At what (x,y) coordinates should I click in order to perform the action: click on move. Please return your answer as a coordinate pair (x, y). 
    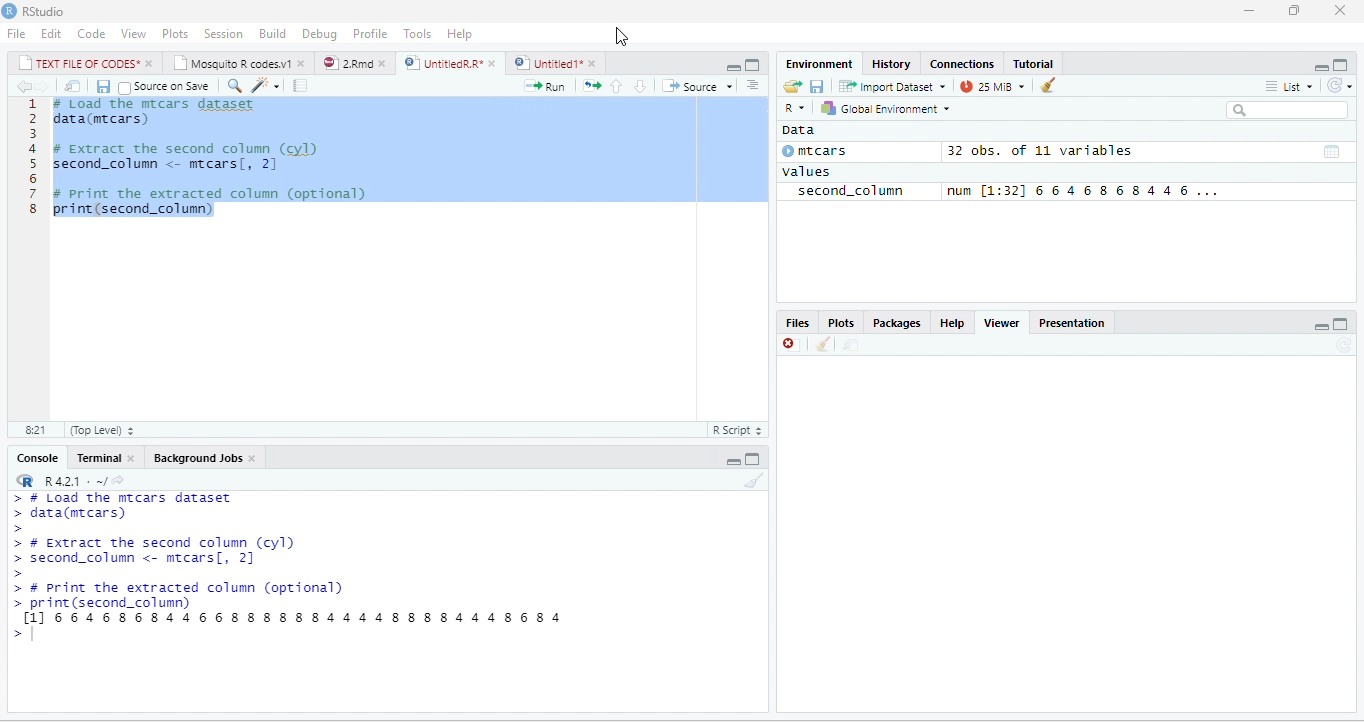
    Looking at the image, I should click on (73, 86).